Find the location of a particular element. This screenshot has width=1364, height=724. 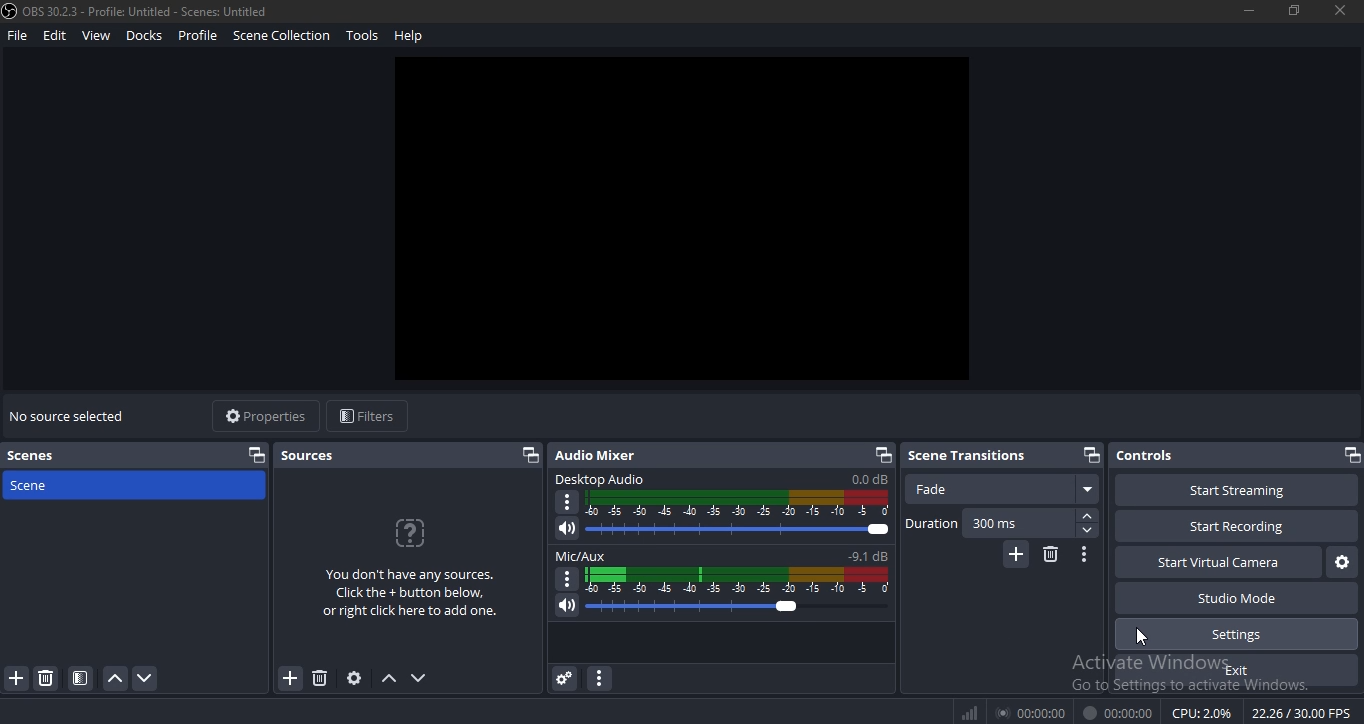

image is located at coordinates (683, 221).